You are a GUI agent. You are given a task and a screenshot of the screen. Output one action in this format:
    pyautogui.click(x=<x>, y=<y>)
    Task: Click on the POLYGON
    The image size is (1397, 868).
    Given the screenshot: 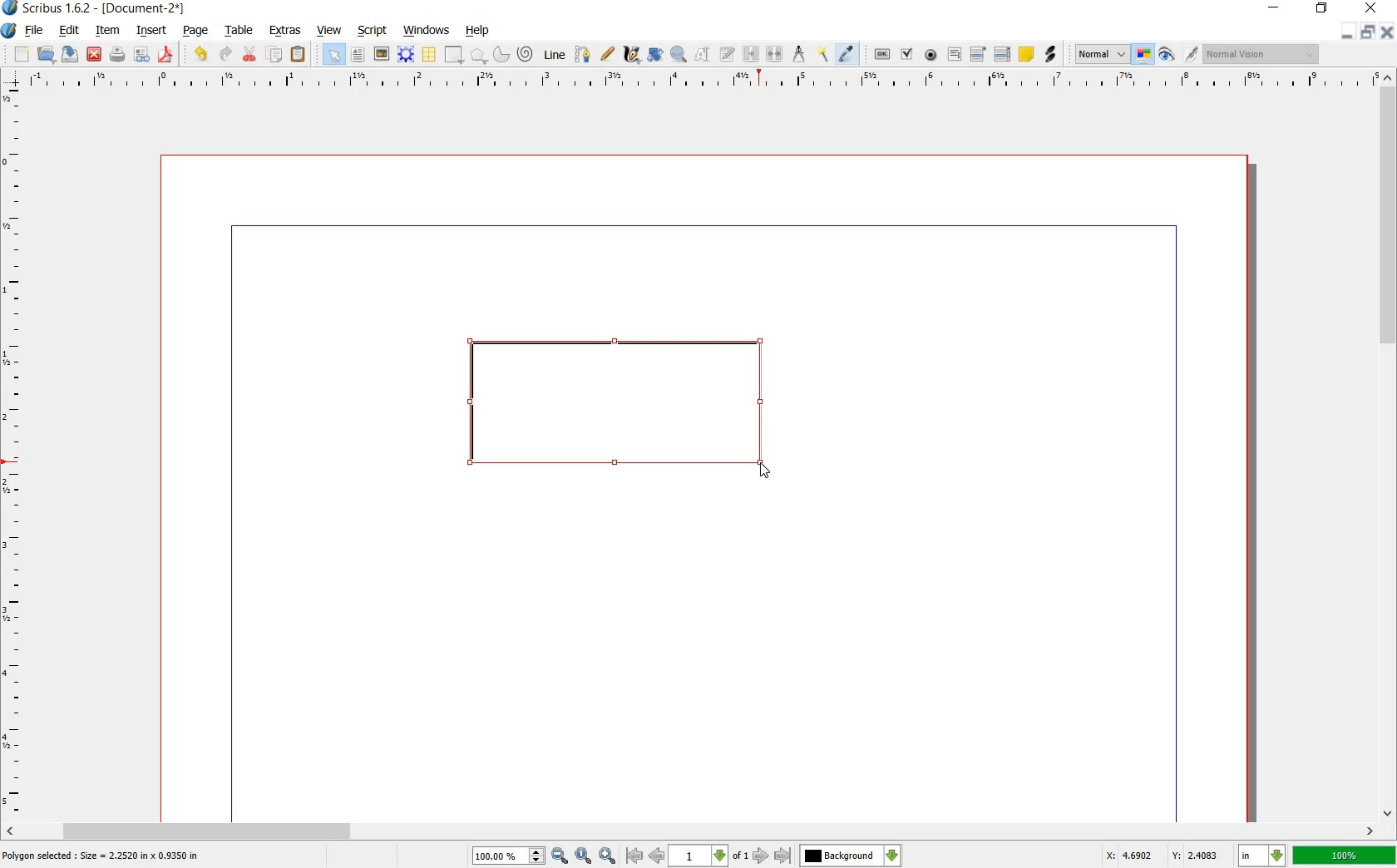 What is the action you would take?
    pyautogui.click(x=479, y=57)
    